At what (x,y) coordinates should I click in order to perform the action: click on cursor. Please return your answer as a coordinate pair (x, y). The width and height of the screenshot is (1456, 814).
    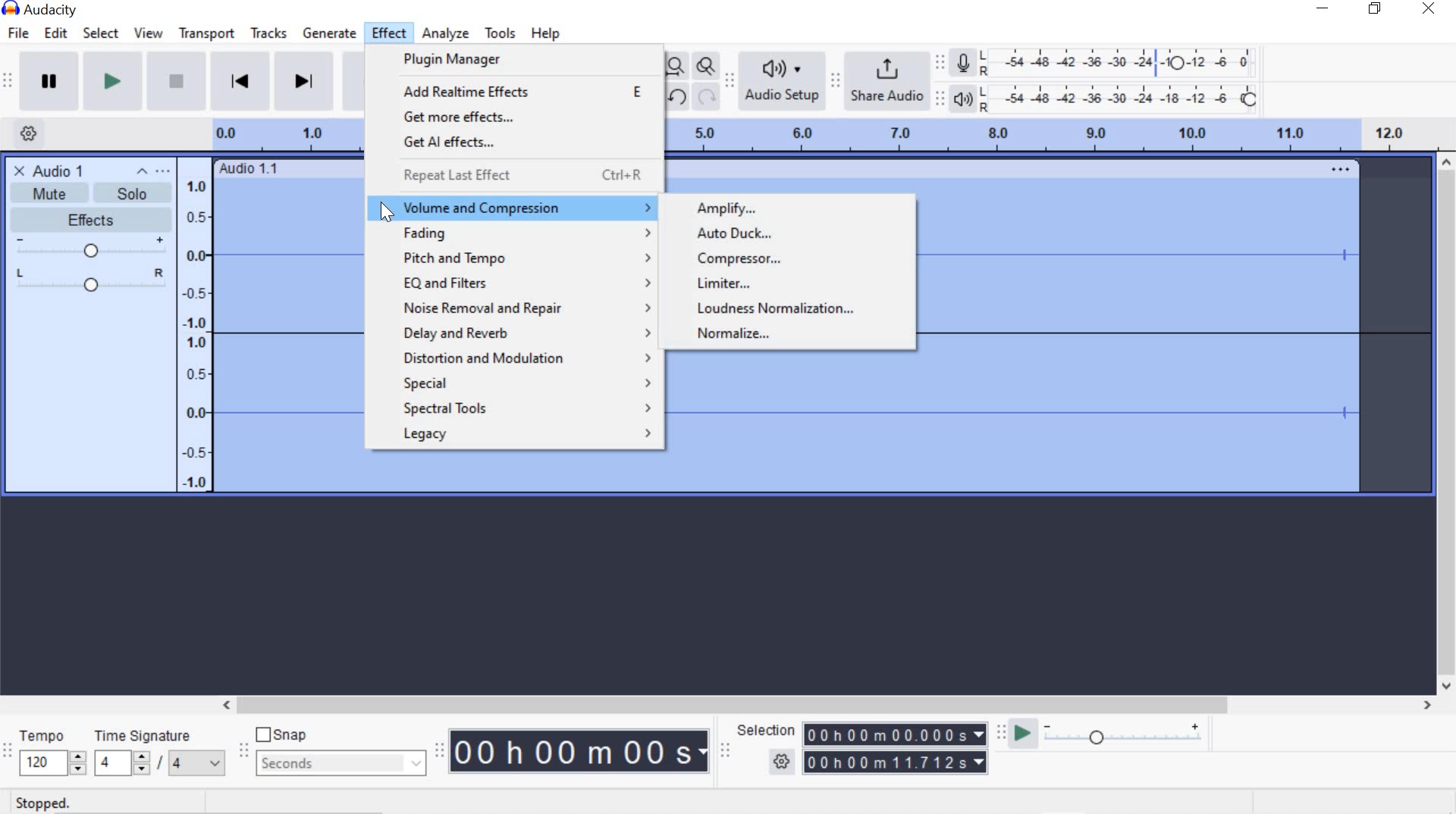
    Looking at the image, I should click on (385, 209).